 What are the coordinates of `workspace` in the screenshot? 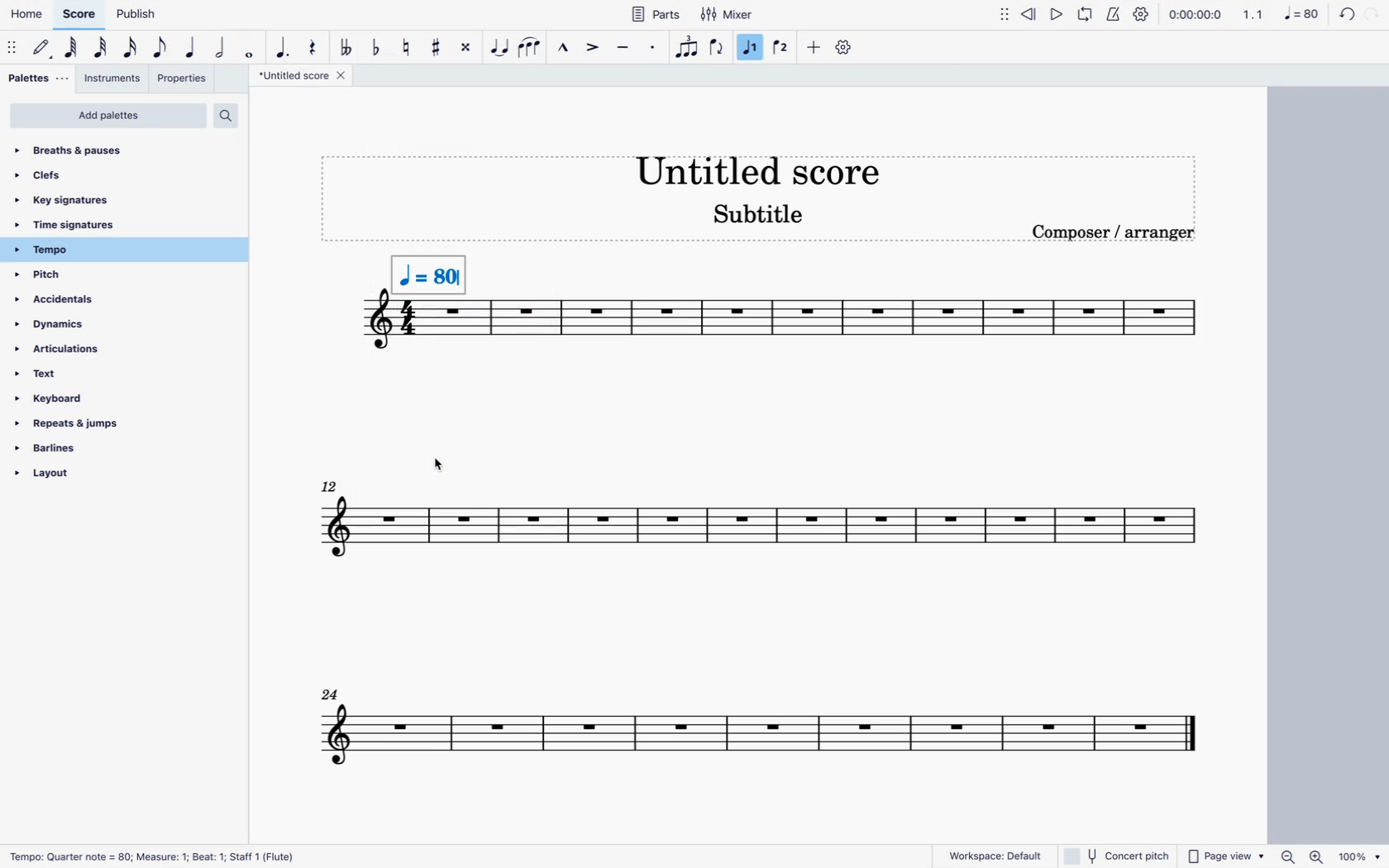 It's located at (987, 851).